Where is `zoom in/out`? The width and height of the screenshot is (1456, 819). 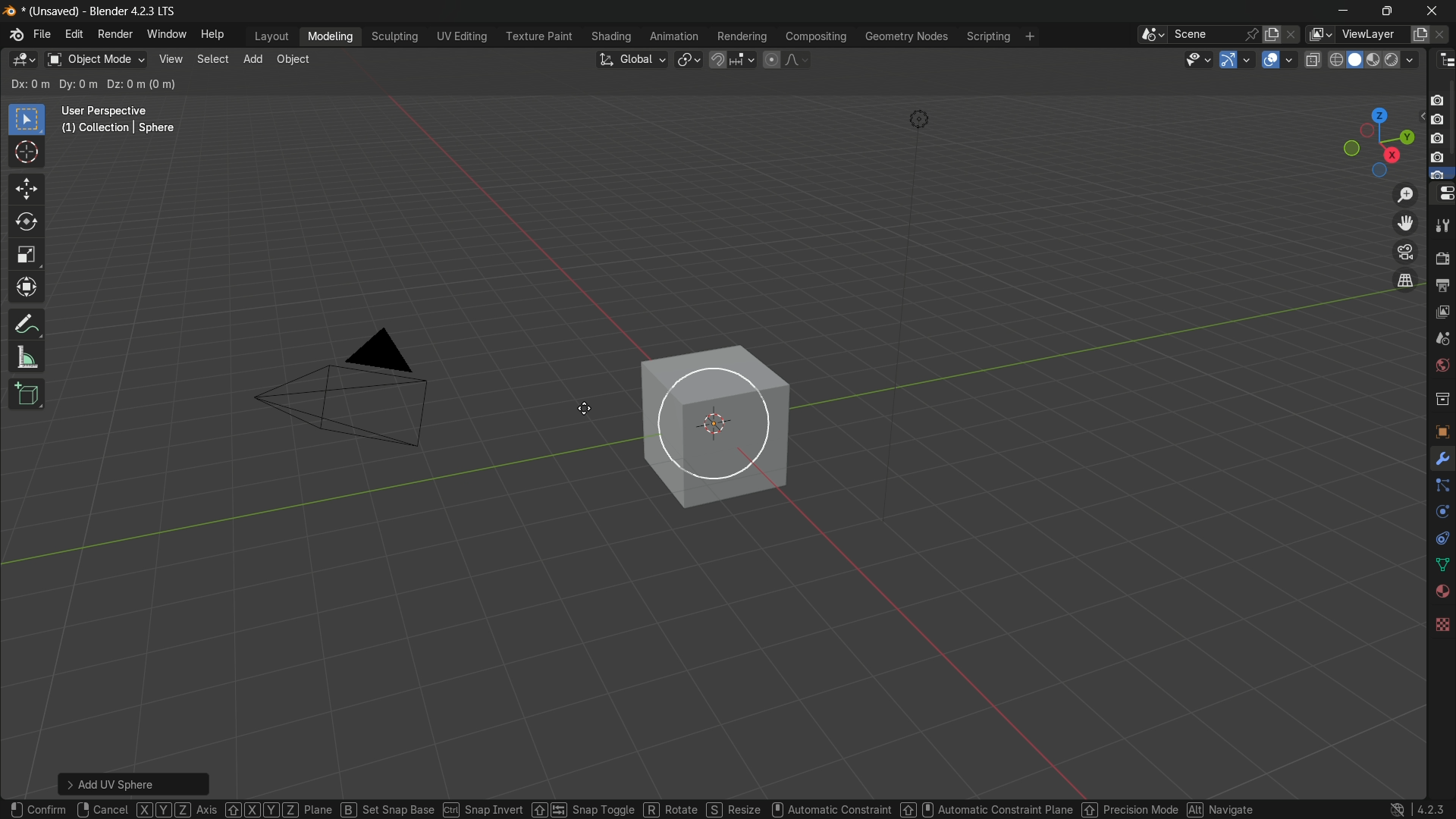 zoom in/out is located at coordinates (1403, 193).